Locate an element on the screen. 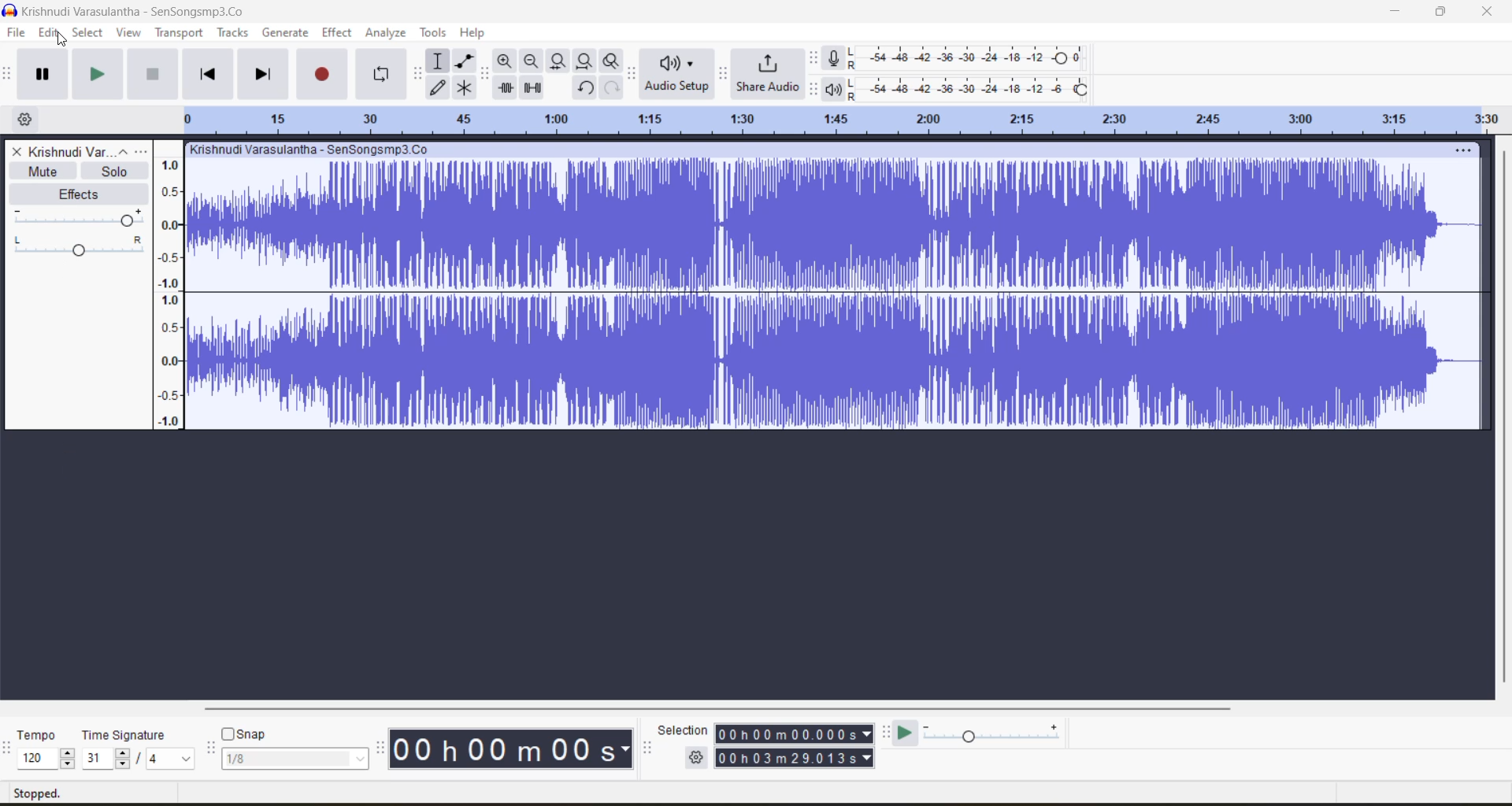 This screenshot has width=1512, height=806. selection is located at coordinates (680, 729).